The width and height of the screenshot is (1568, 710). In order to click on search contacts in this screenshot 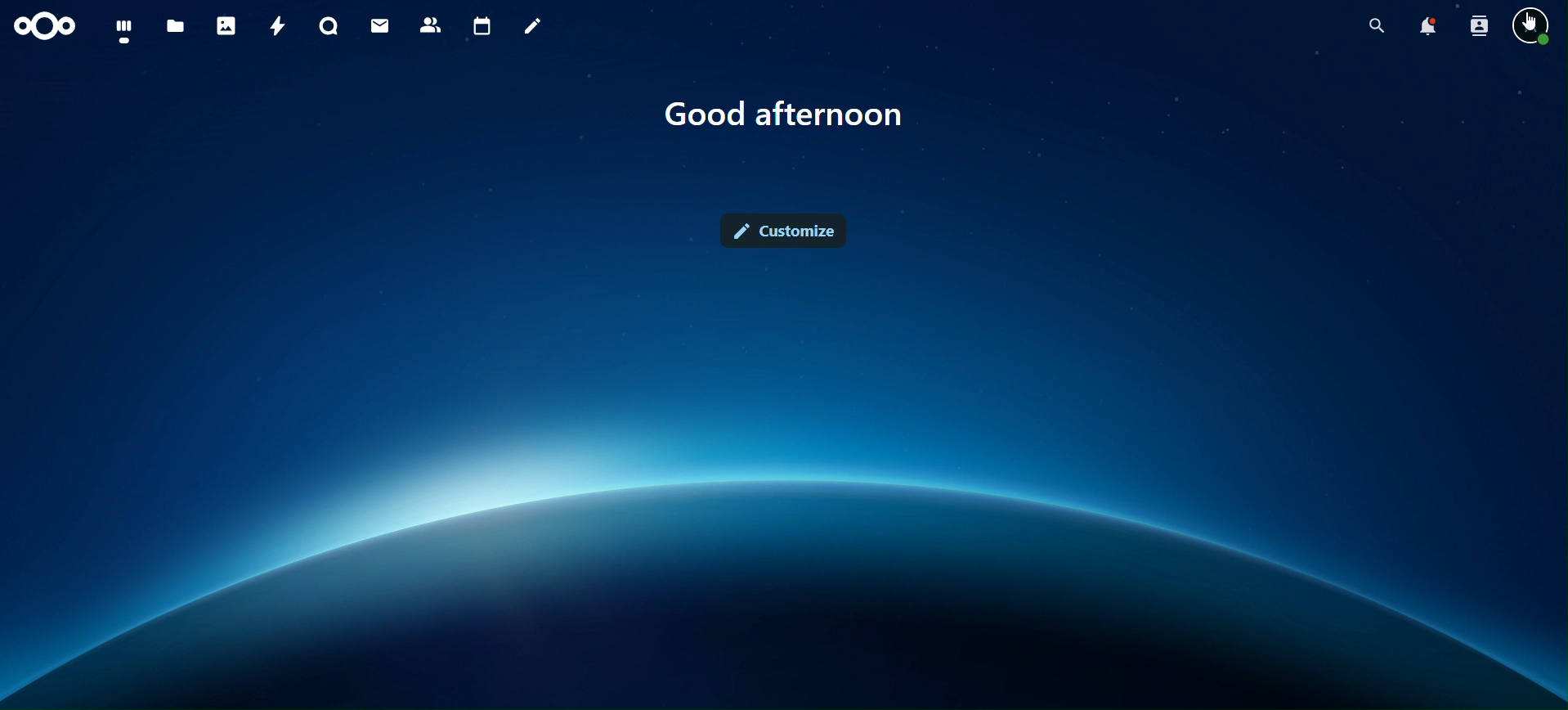, I will do `click(1474, 25)`.